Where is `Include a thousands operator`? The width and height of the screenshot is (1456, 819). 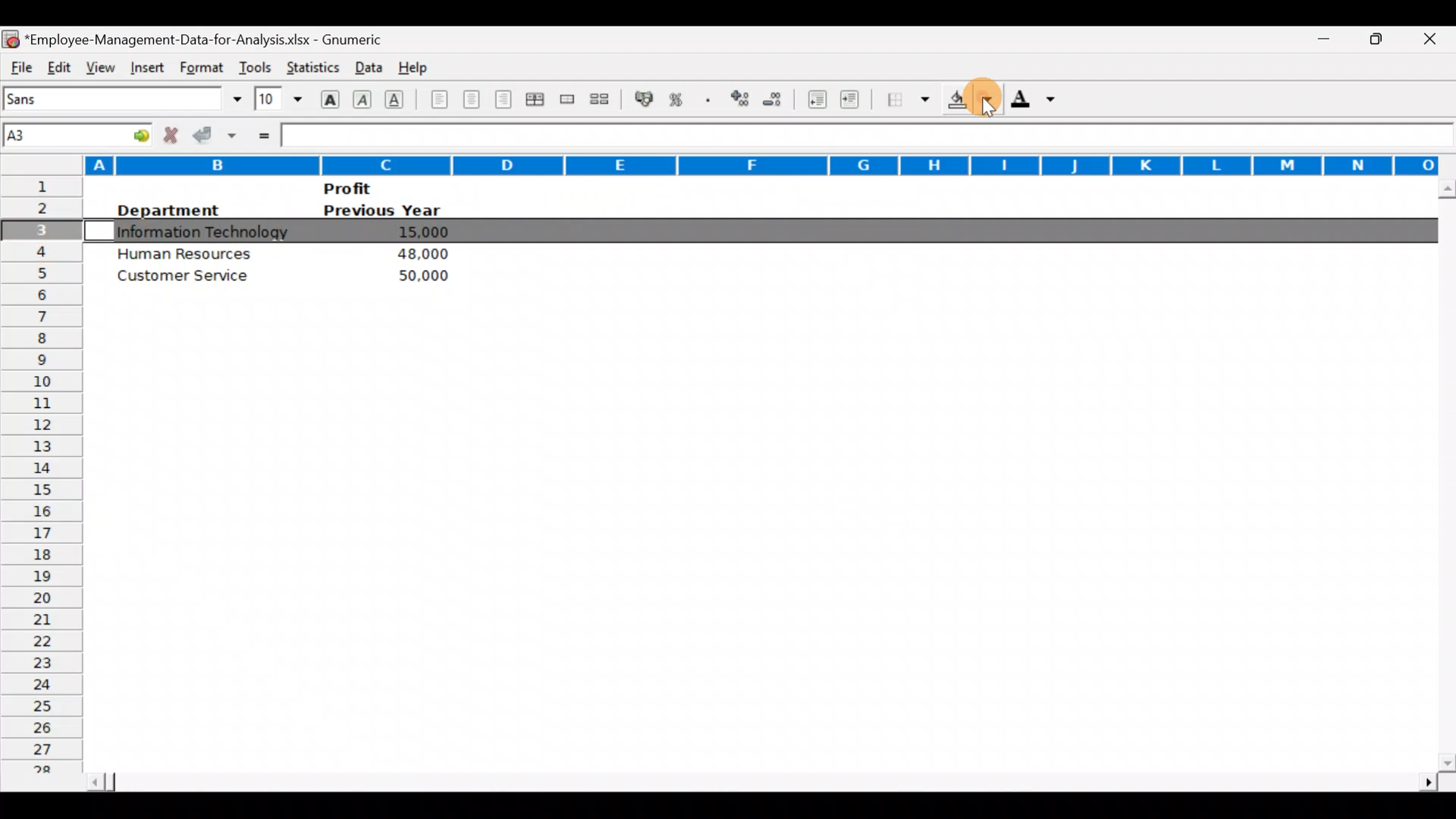 Include a thousands operator is located at coordinates (711, 101).